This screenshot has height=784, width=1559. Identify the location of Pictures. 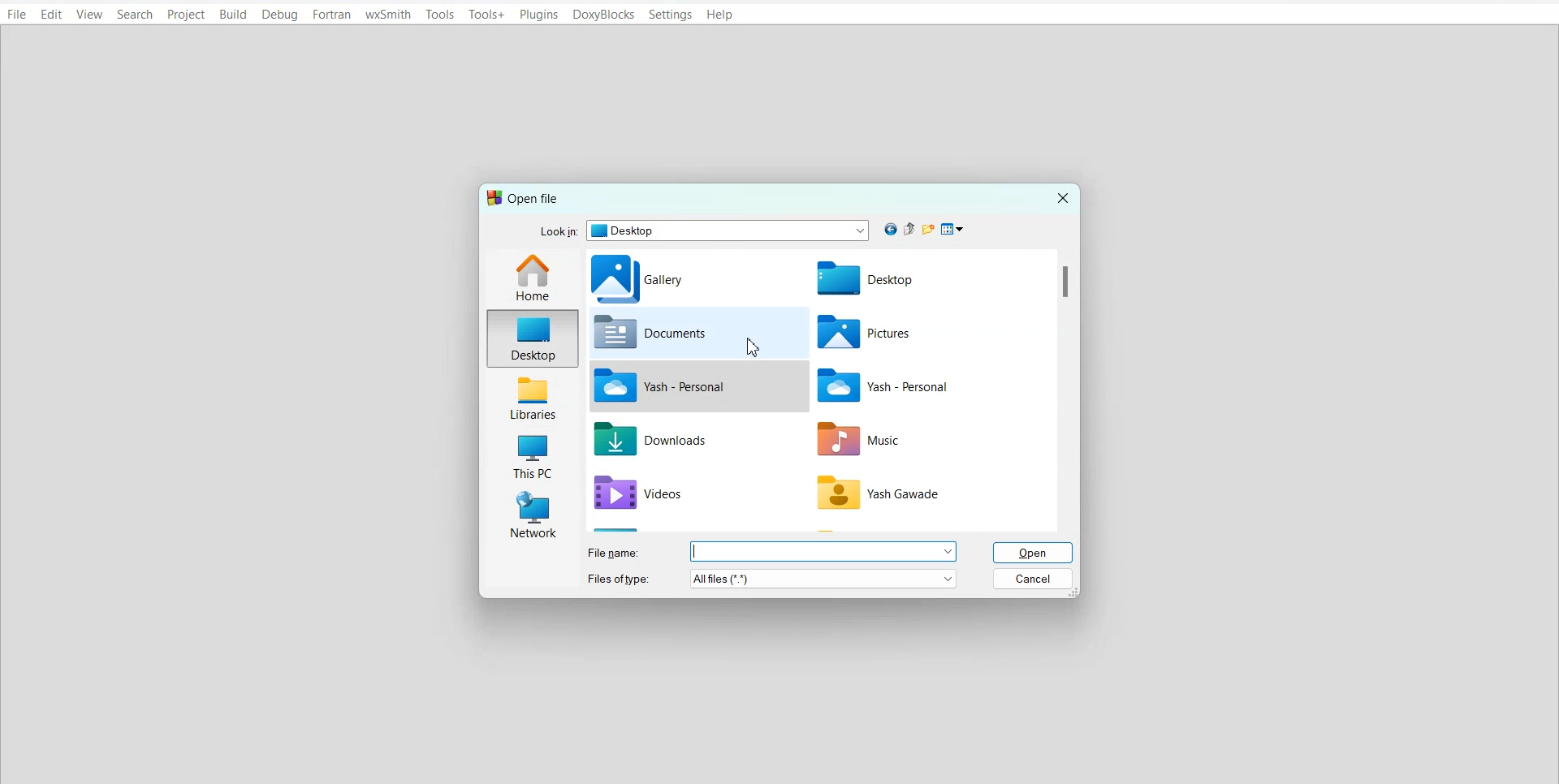
(926, 331).